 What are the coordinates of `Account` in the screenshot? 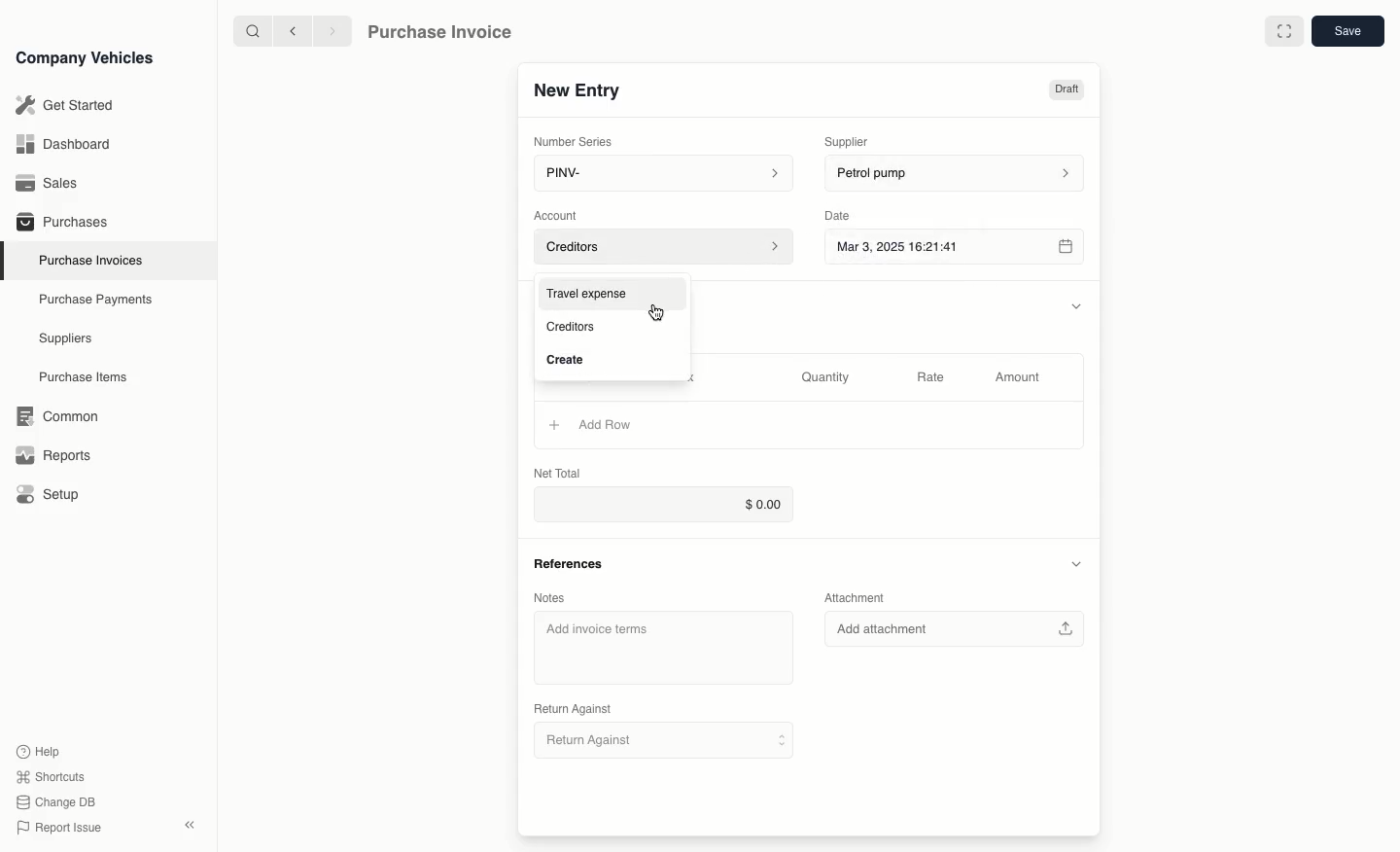 It's located at (556, 214).